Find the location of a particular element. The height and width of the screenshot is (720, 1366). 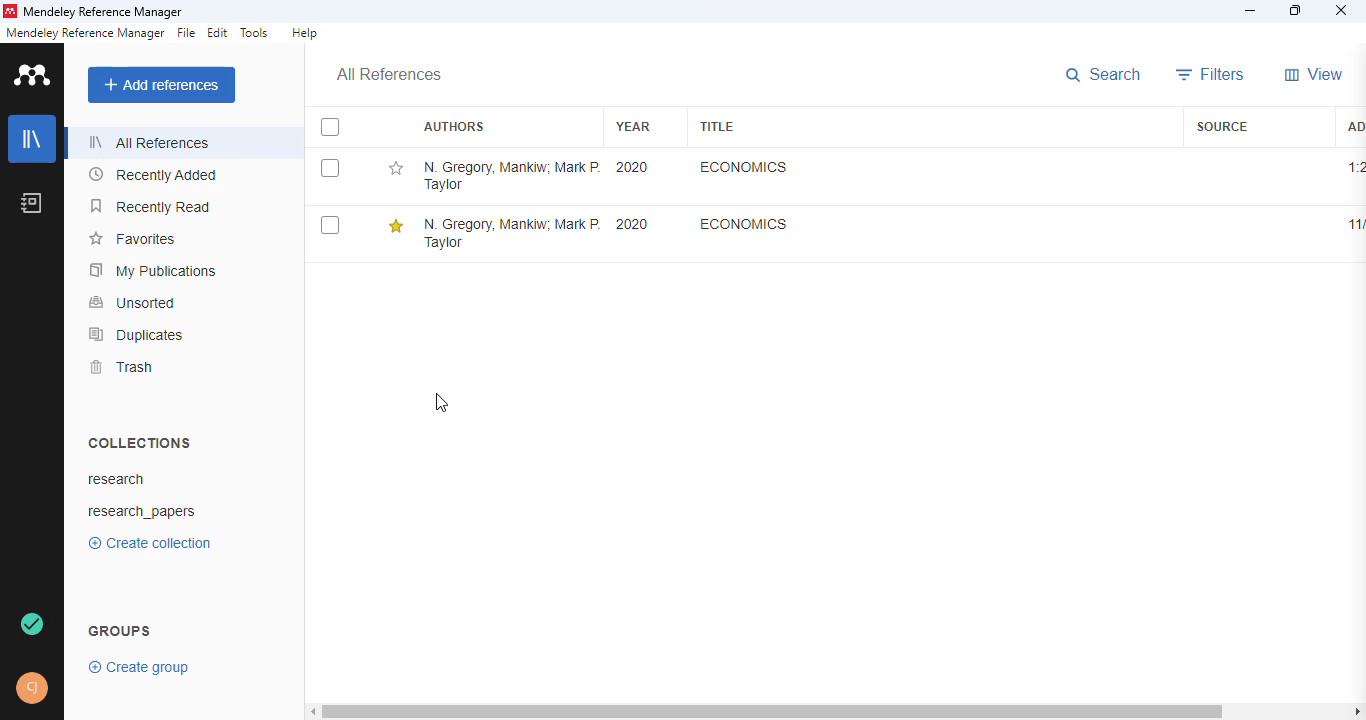

recently added is located at coordinates (153, 175).